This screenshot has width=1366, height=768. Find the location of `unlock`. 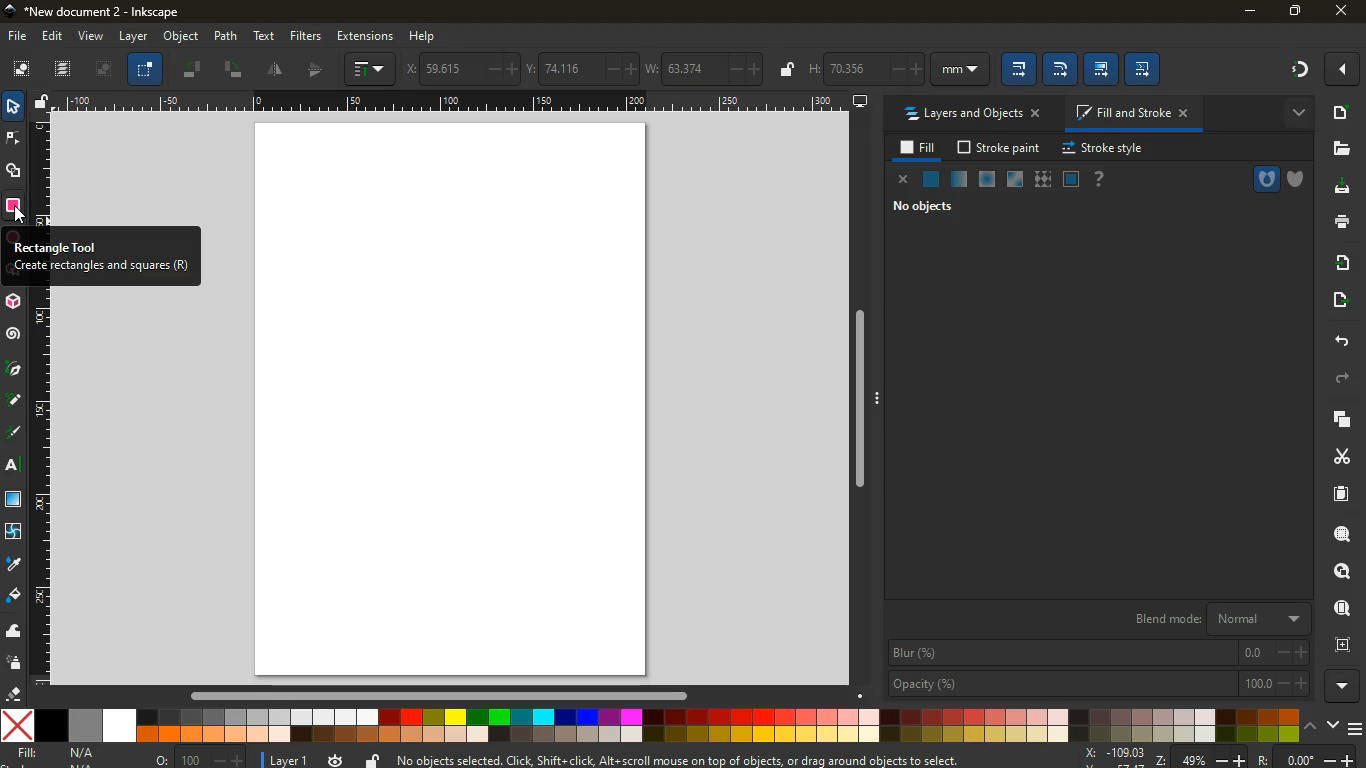

unlock is located at coordinates (44, 104).